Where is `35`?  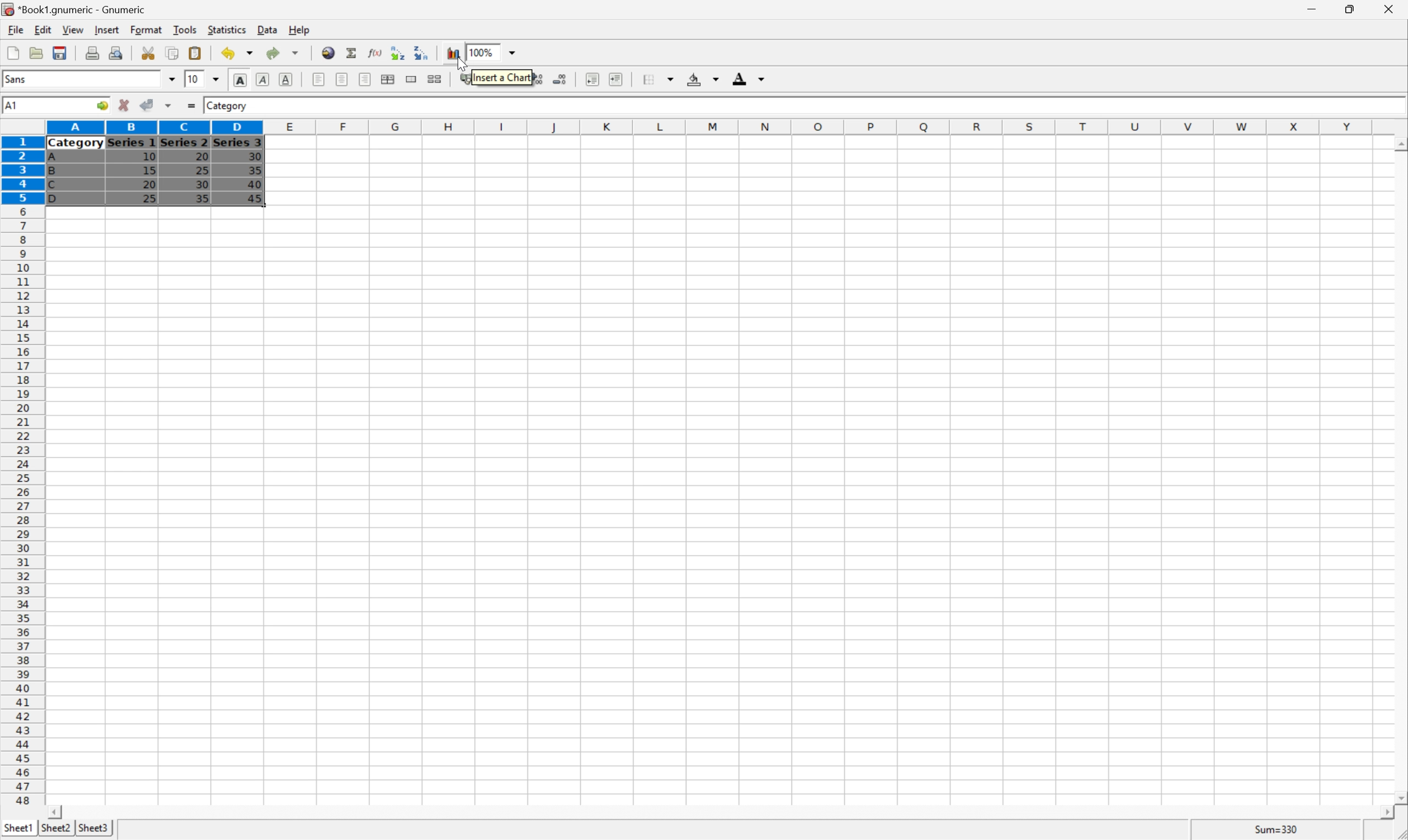
35 is located at coordinates (202, 198).